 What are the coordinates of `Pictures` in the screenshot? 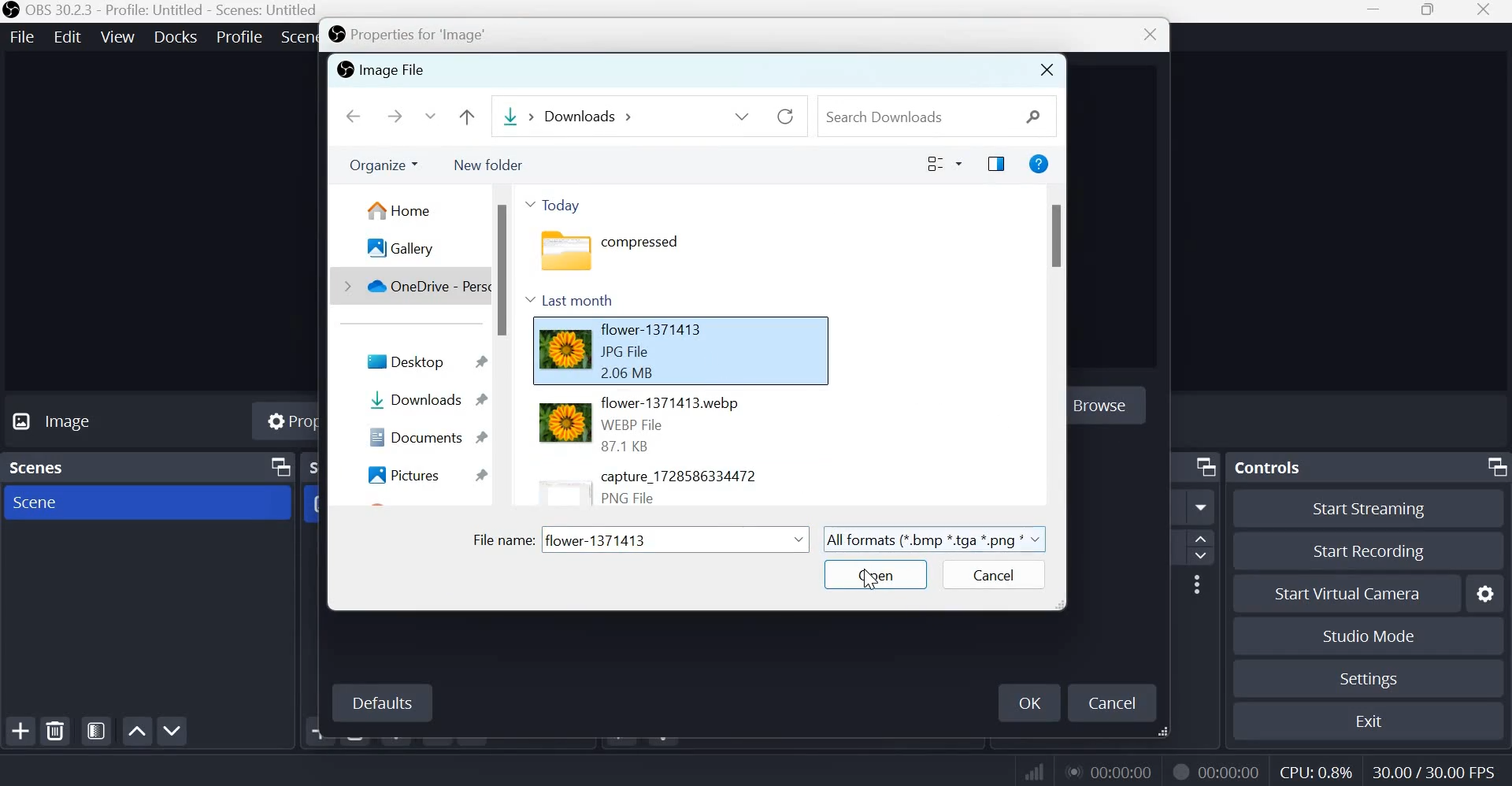 It's located at (426, 478).